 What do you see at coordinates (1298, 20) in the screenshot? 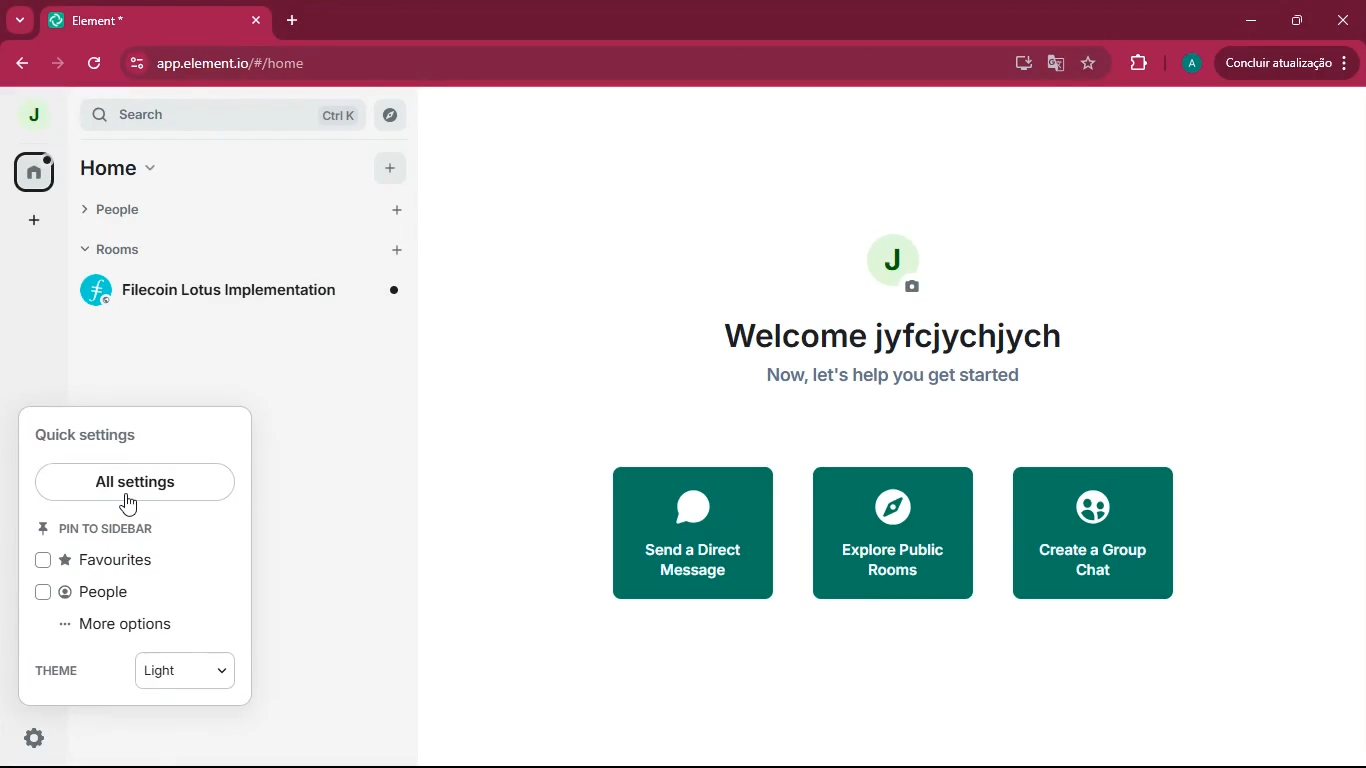
I see `maximize` at bounding box center [1298, 20].